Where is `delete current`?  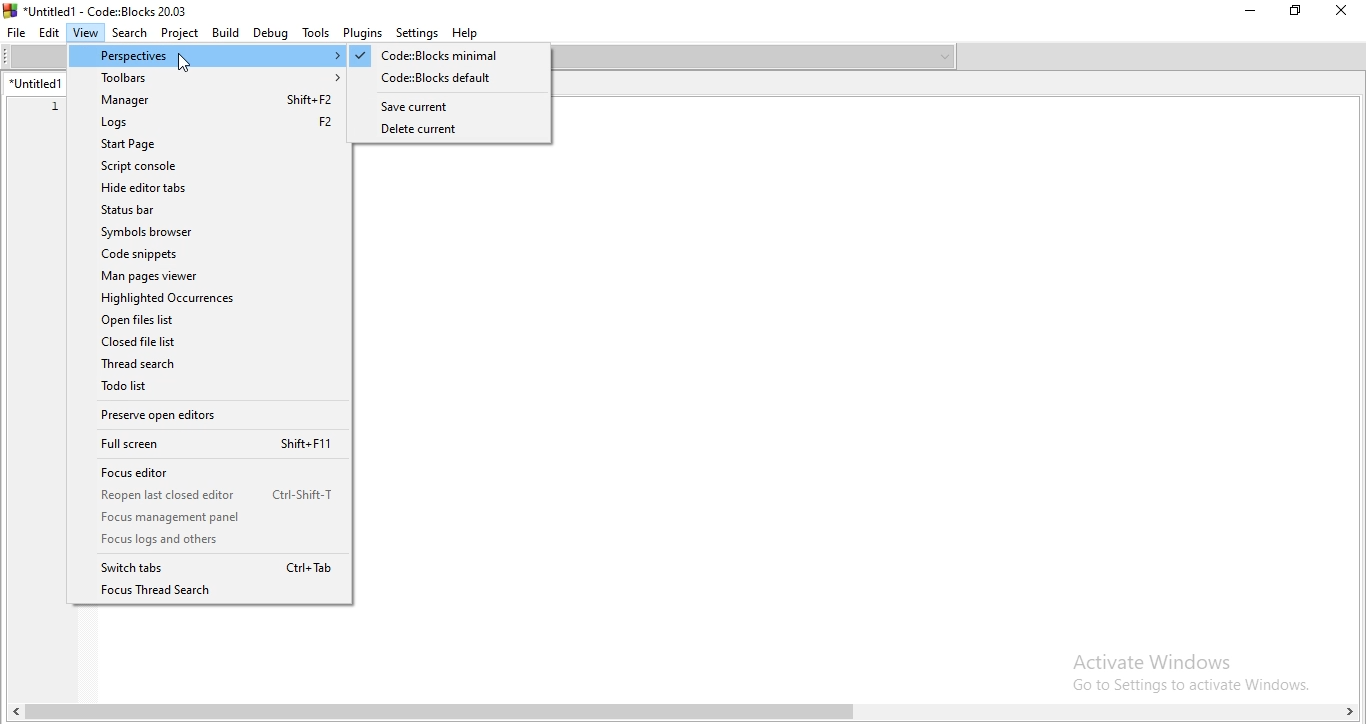
delete current is located at coordinates (456, 130).